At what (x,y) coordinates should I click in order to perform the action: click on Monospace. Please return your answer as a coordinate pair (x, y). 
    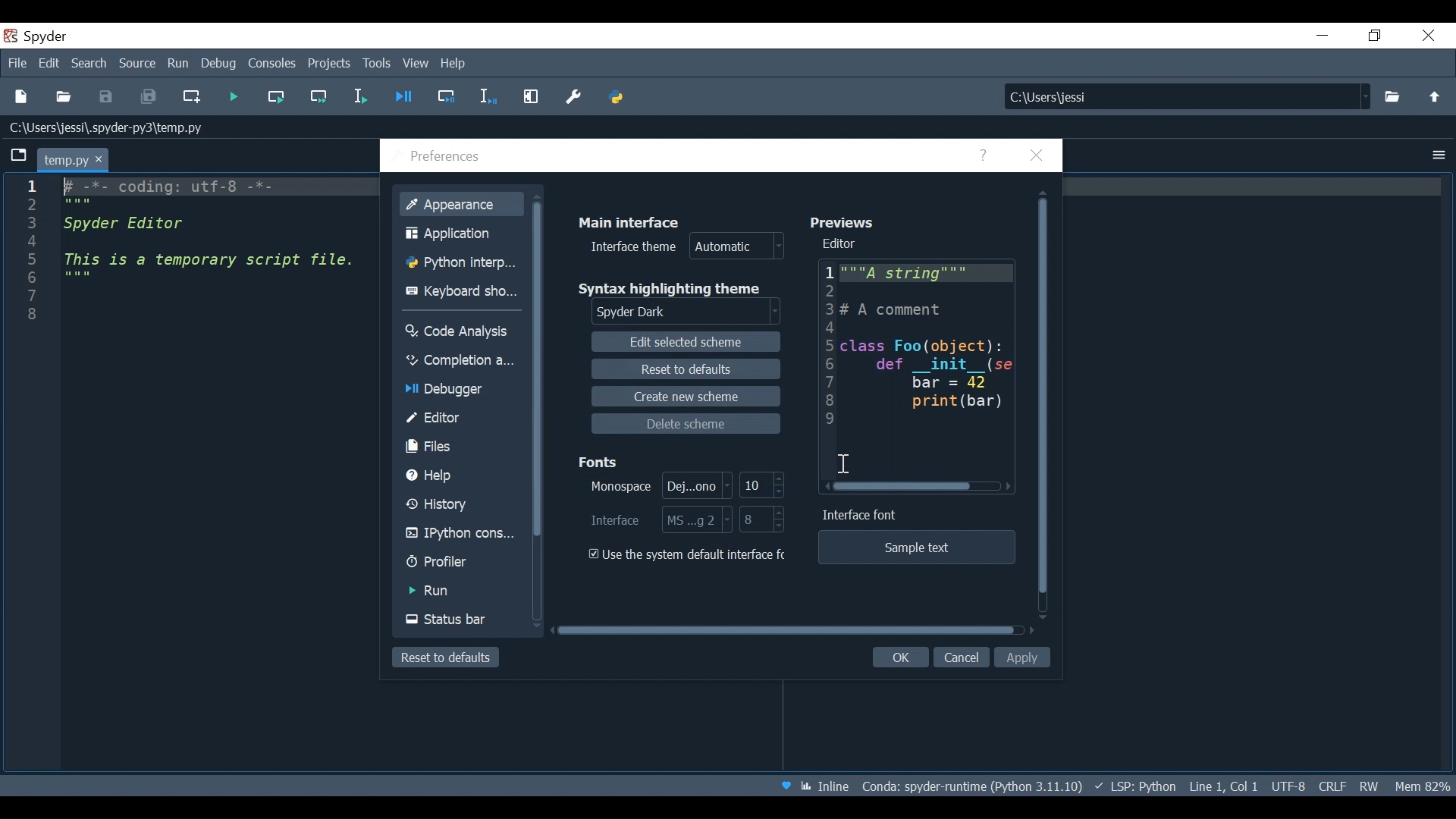
    Looking at the image, I should click on (657, 486).